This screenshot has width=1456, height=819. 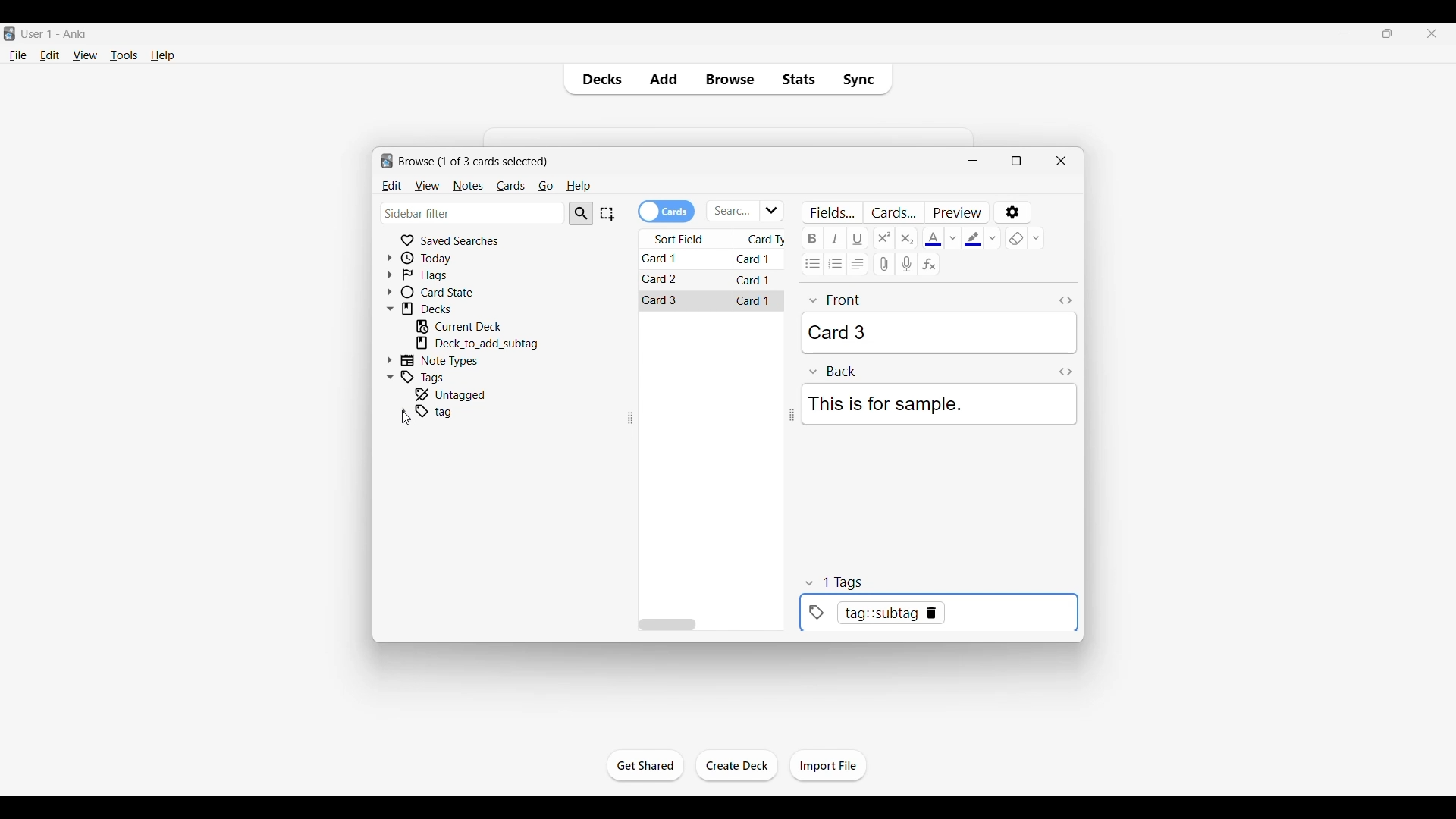 What do you see at coordinates (469, 326) in the screenshot?
I see `Click to go to current deck` at bounding box center [469, 326].